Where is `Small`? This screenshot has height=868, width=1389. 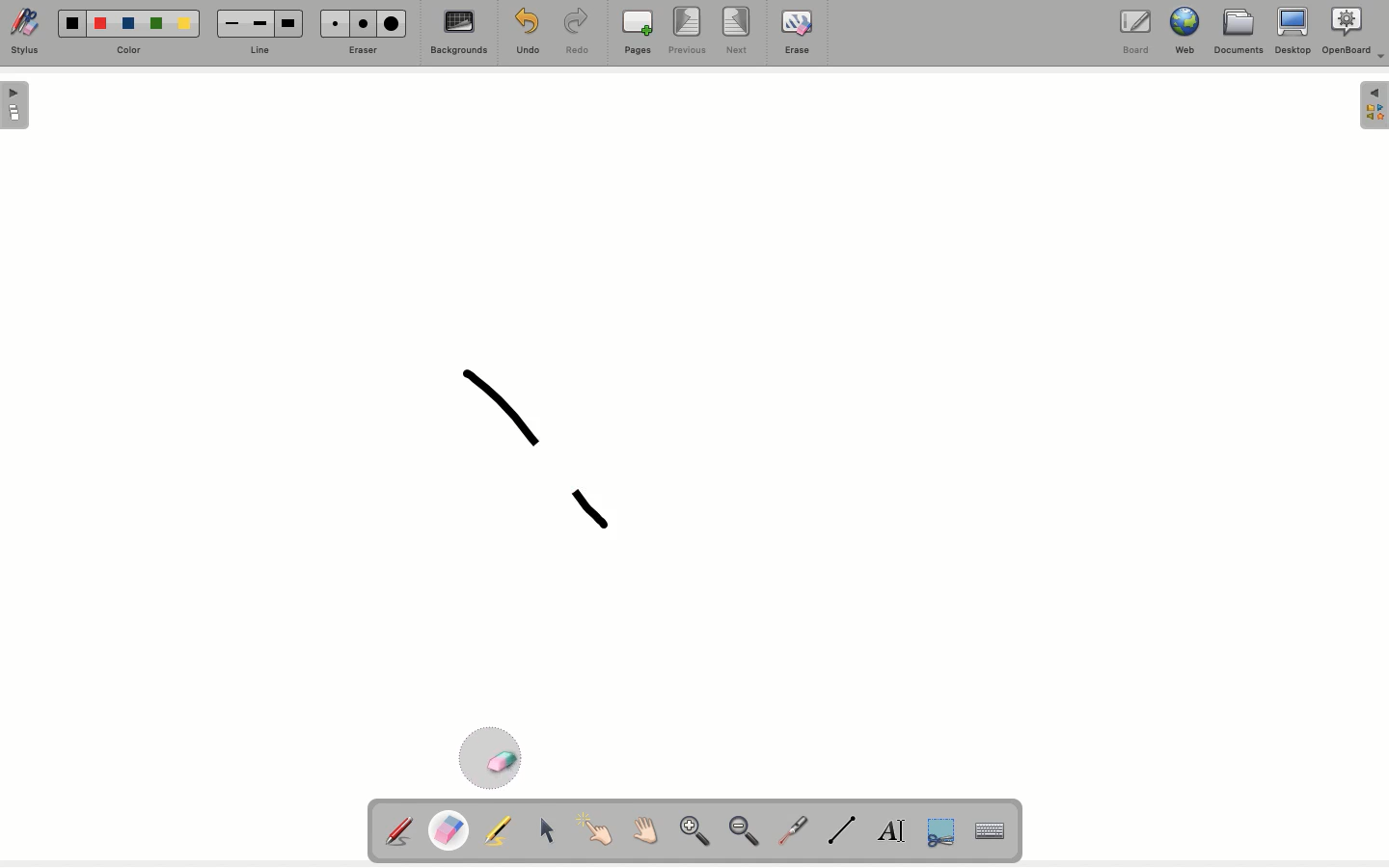 Small is located at coordinates (233, 23).